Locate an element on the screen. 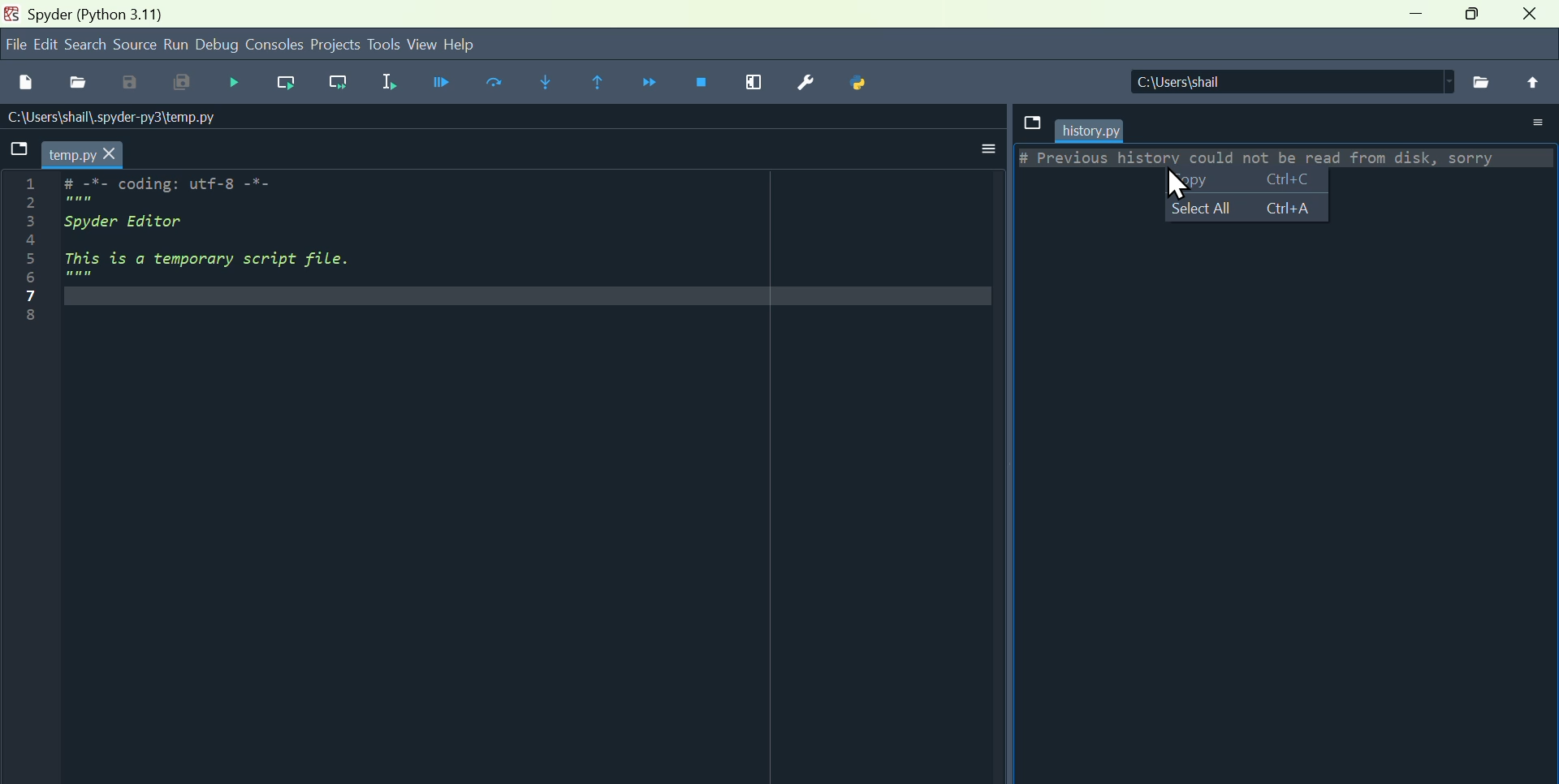 This screenshot has height=784, width=1559. Close is located at coordinates (1529, 14).